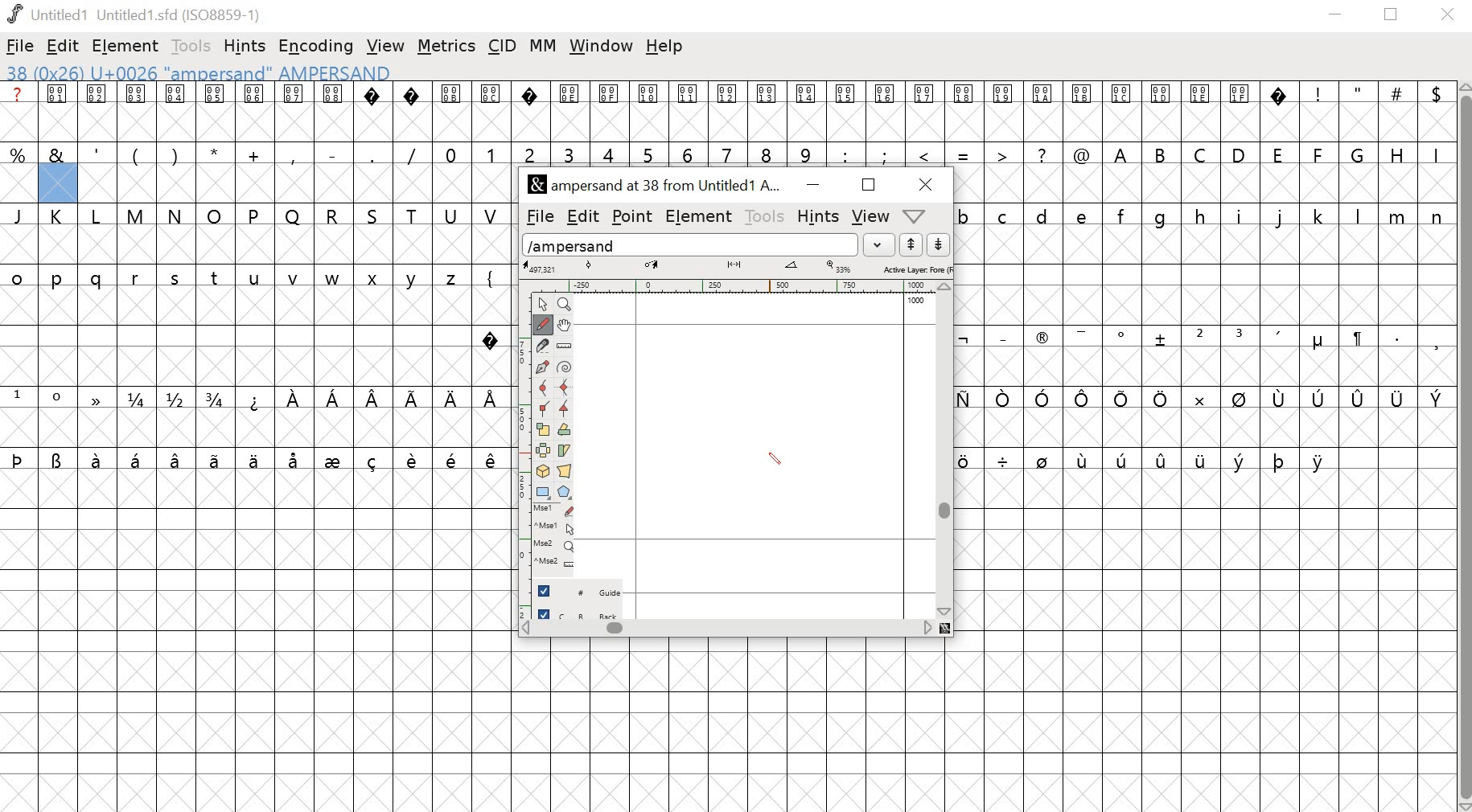 The image size is (1472, 812). I want to click on mm, so click(543, 45).